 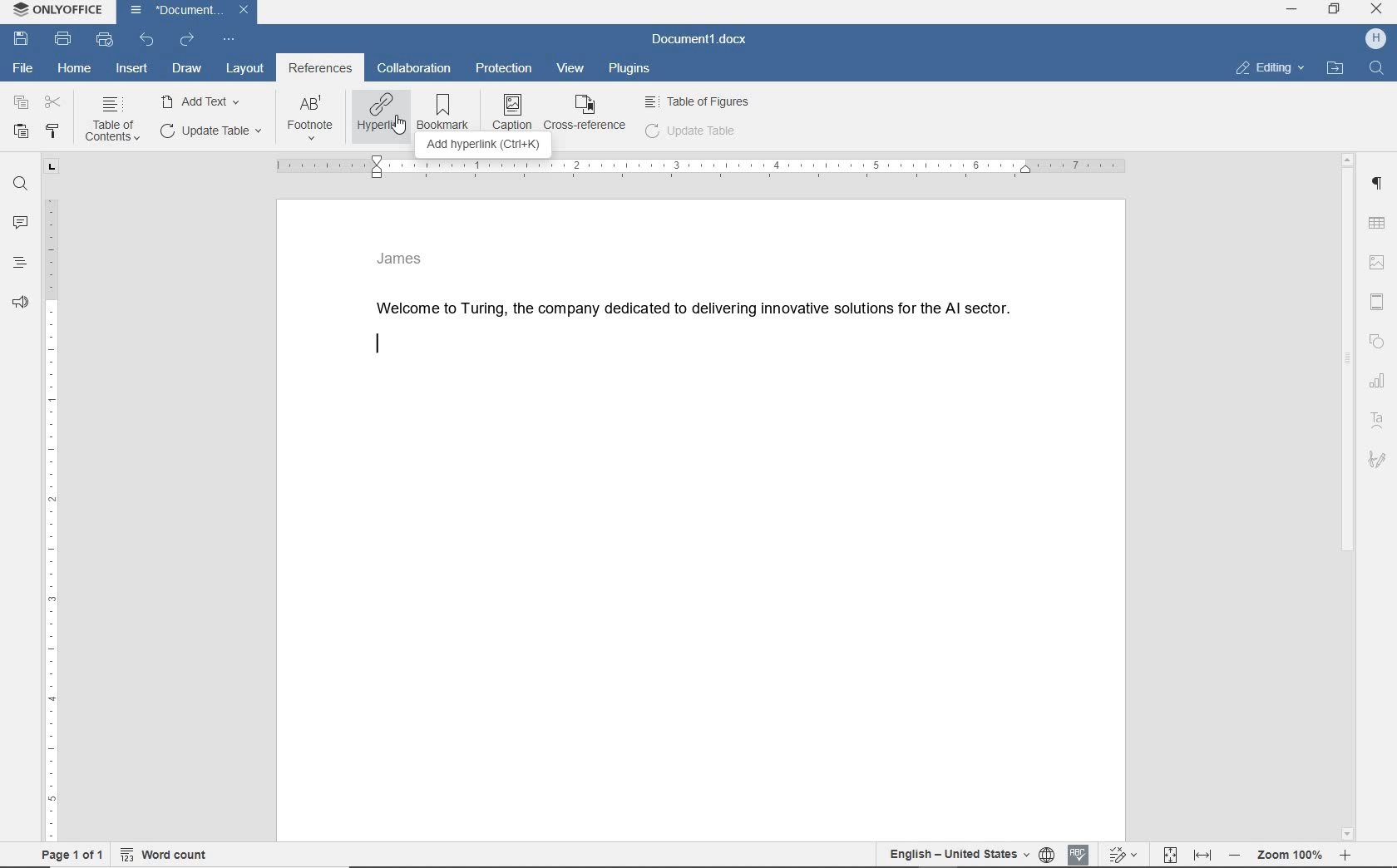 What do you see at coordinates (22, 185) in the screenshot?
I see `find` at bounding box center [22, 185].